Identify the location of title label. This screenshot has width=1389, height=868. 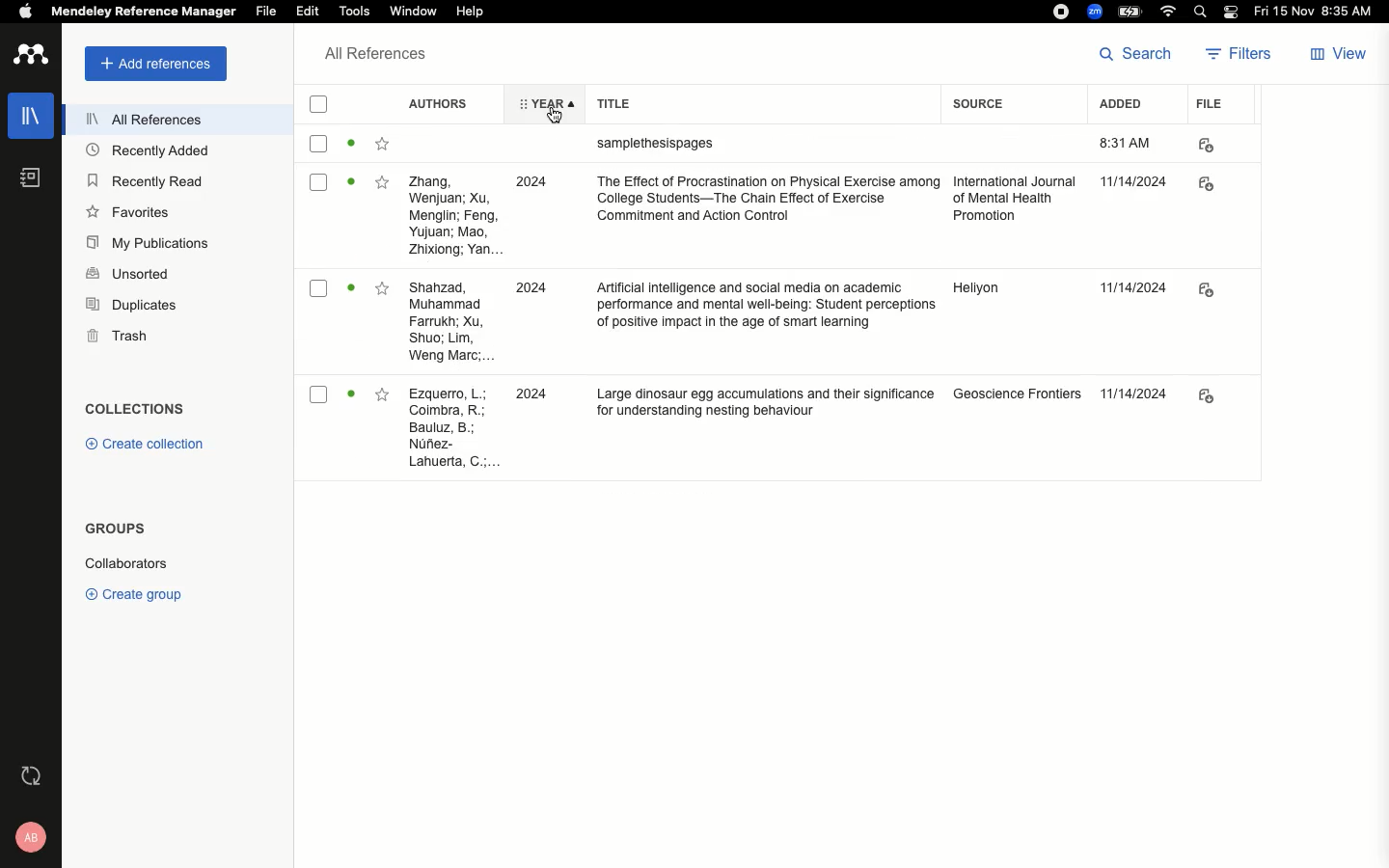
(752, 101).